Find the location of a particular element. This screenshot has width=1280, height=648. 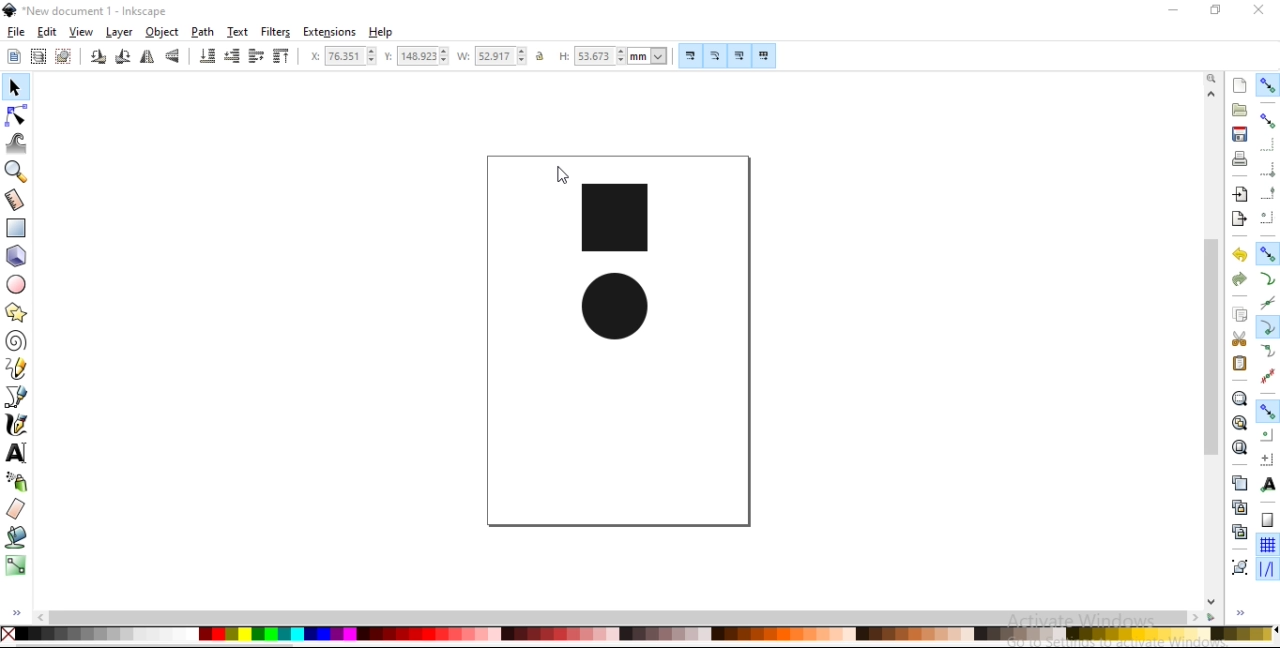

export a document is located at coordinates (1237, 220).